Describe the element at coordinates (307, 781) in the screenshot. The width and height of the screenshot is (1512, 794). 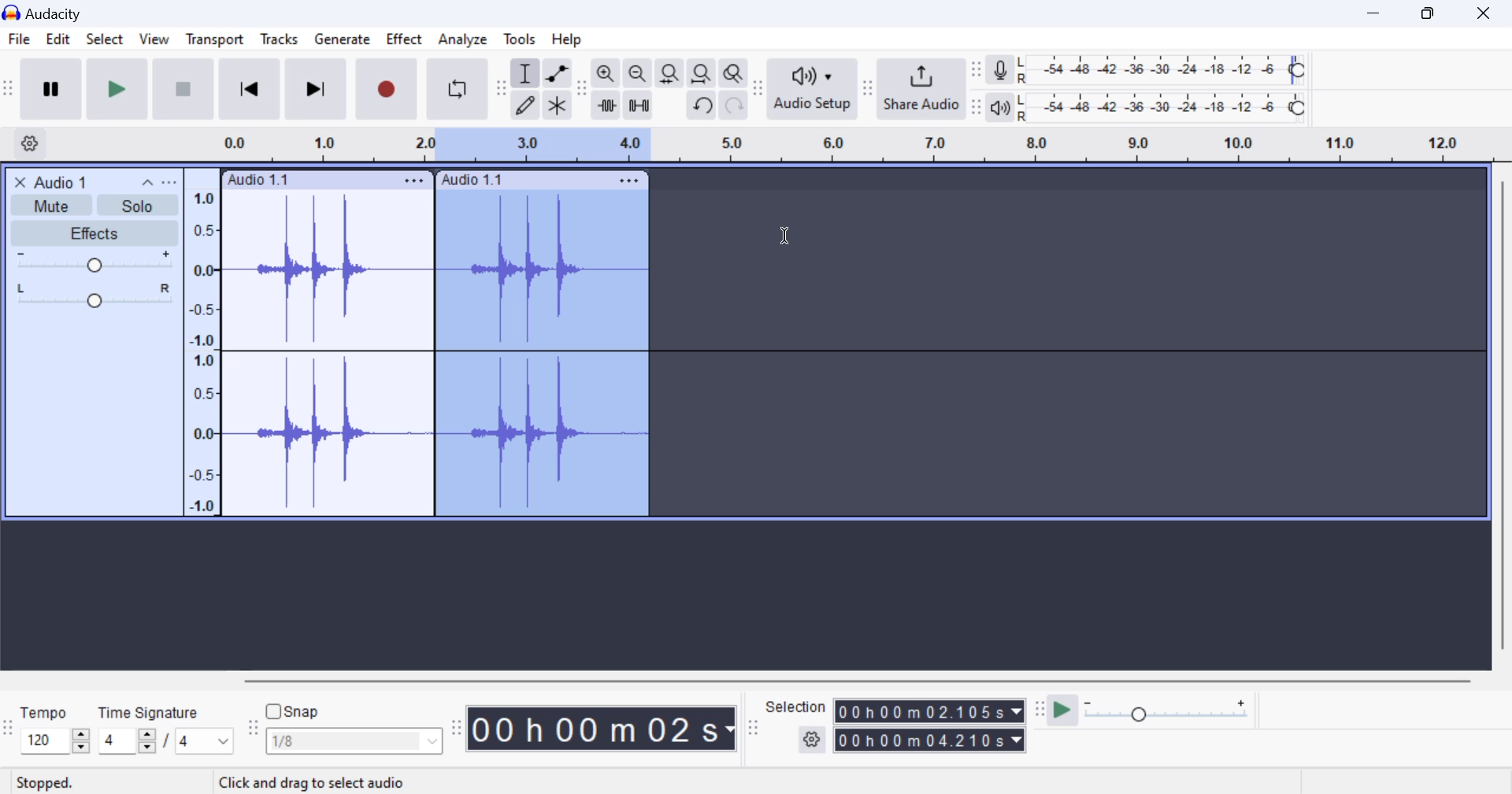
I see `application tip` at that location.